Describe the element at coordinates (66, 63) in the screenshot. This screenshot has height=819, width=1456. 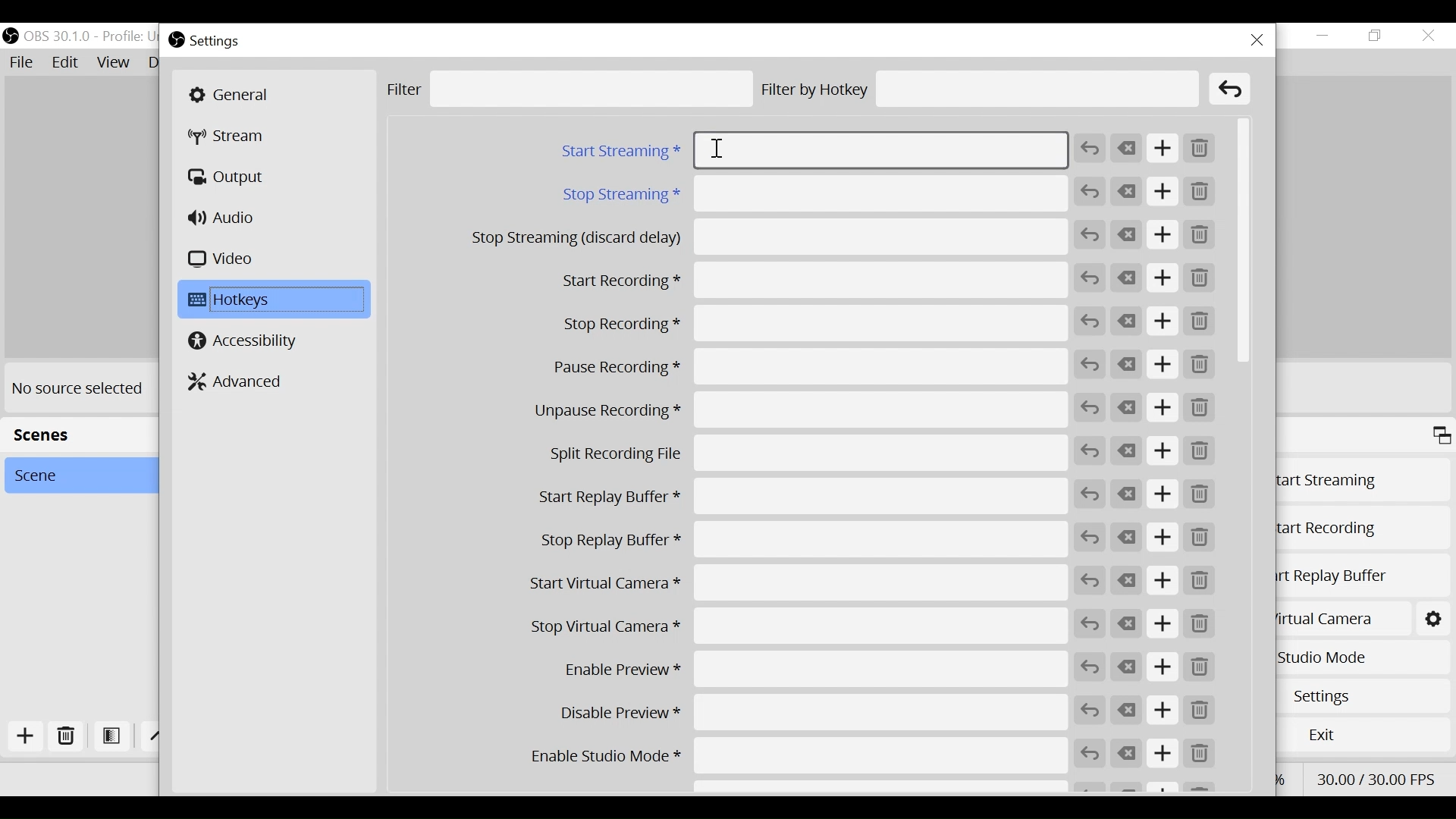
I see `Edit` at that location.